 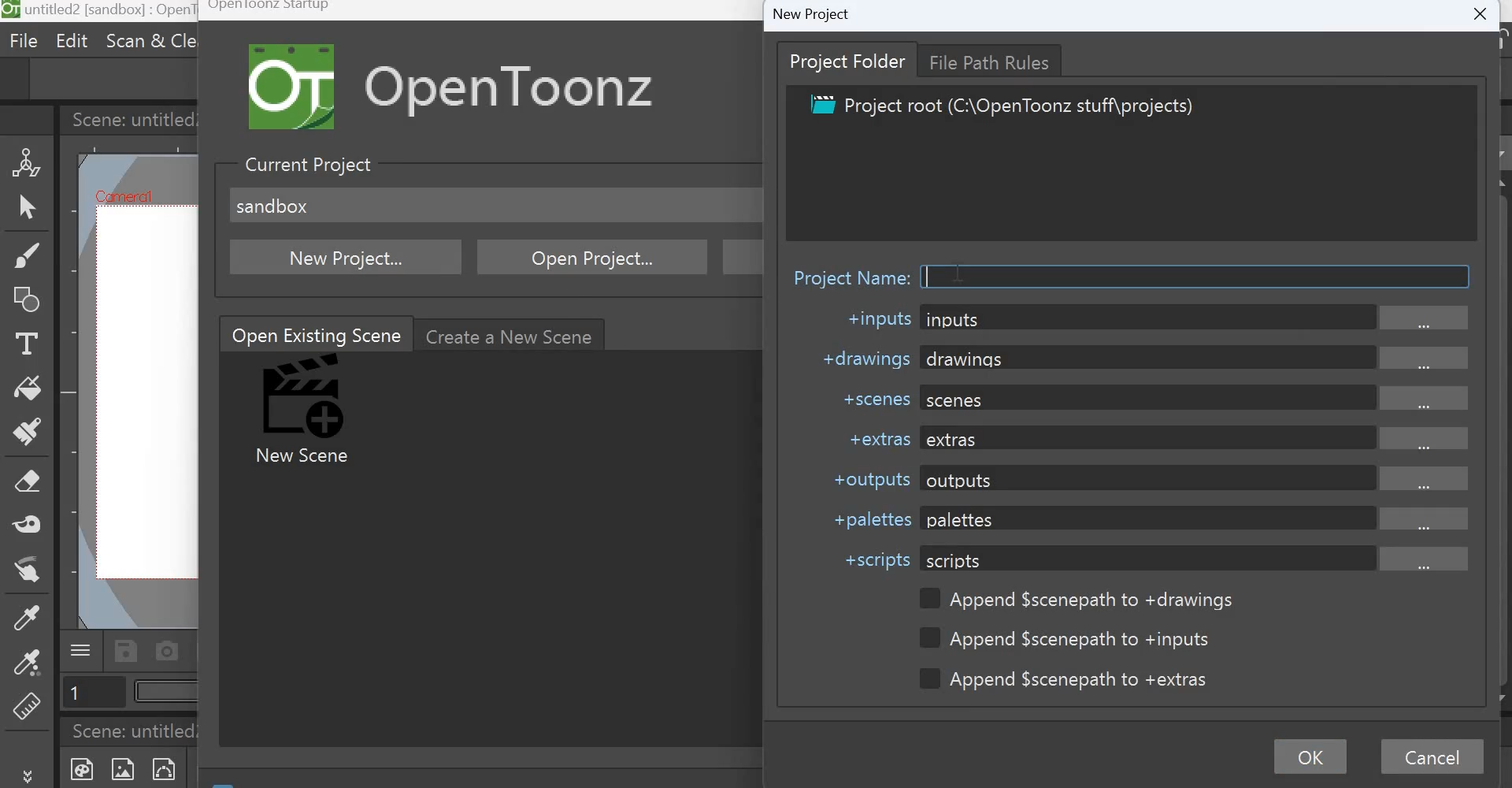 What do you see at coordinates (307, 412) in the screenshot?
I see `New Scene` at bounding box center [307, 412].